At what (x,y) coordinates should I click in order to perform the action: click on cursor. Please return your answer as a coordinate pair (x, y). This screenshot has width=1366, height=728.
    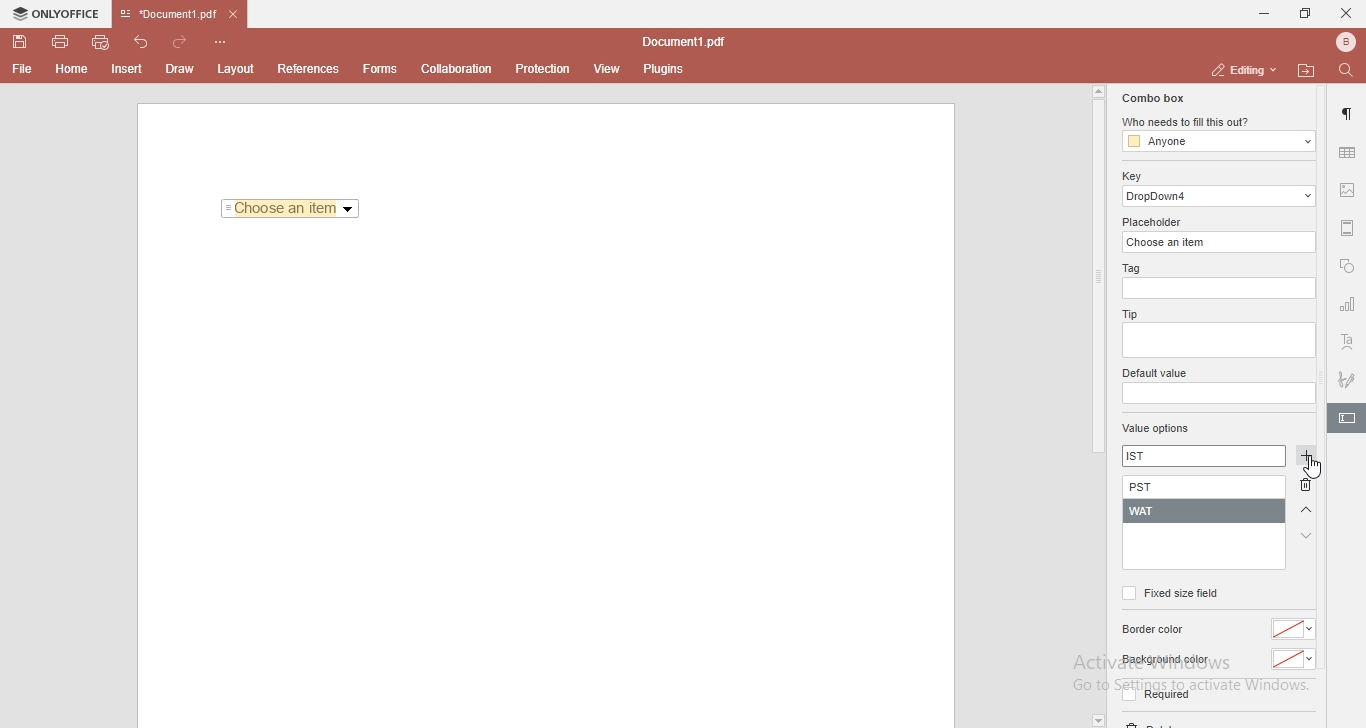
    Looking at the image, I should click on (1313, 469).